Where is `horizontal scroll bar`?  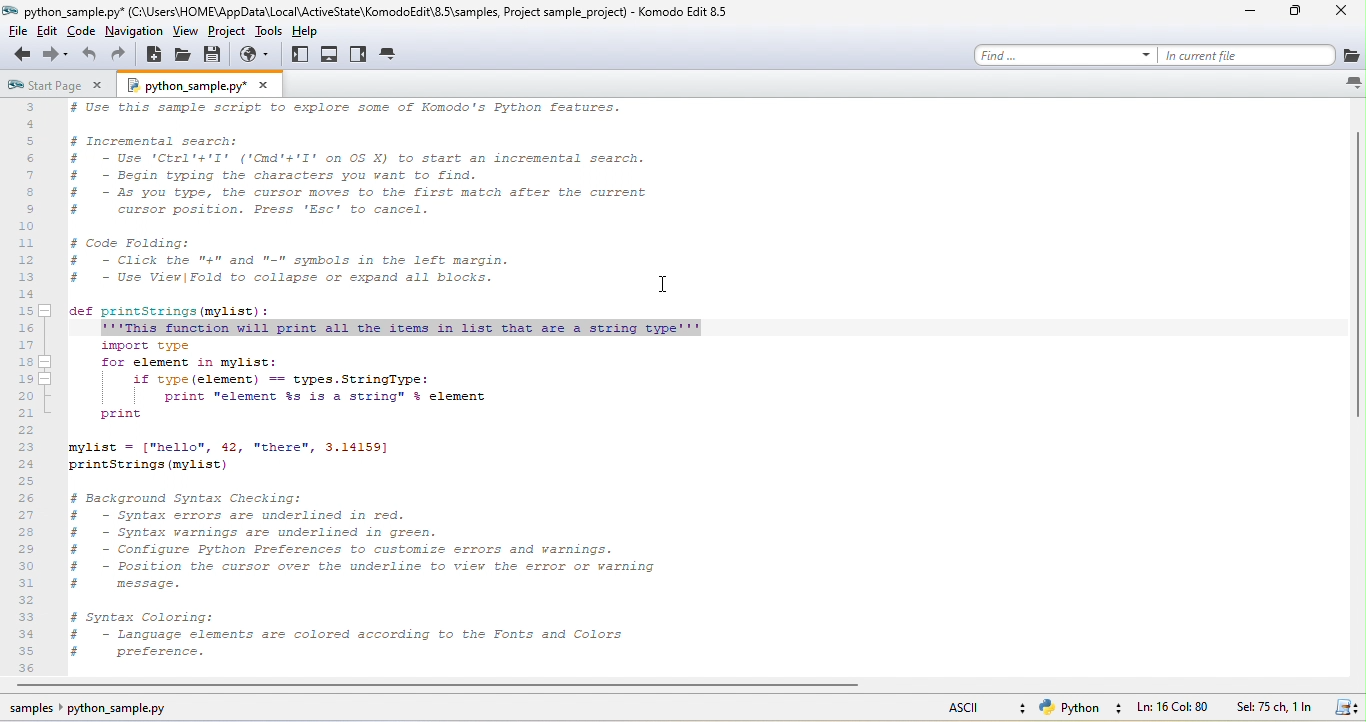
horizontal scroll bar is located at coordinates (433, 686).